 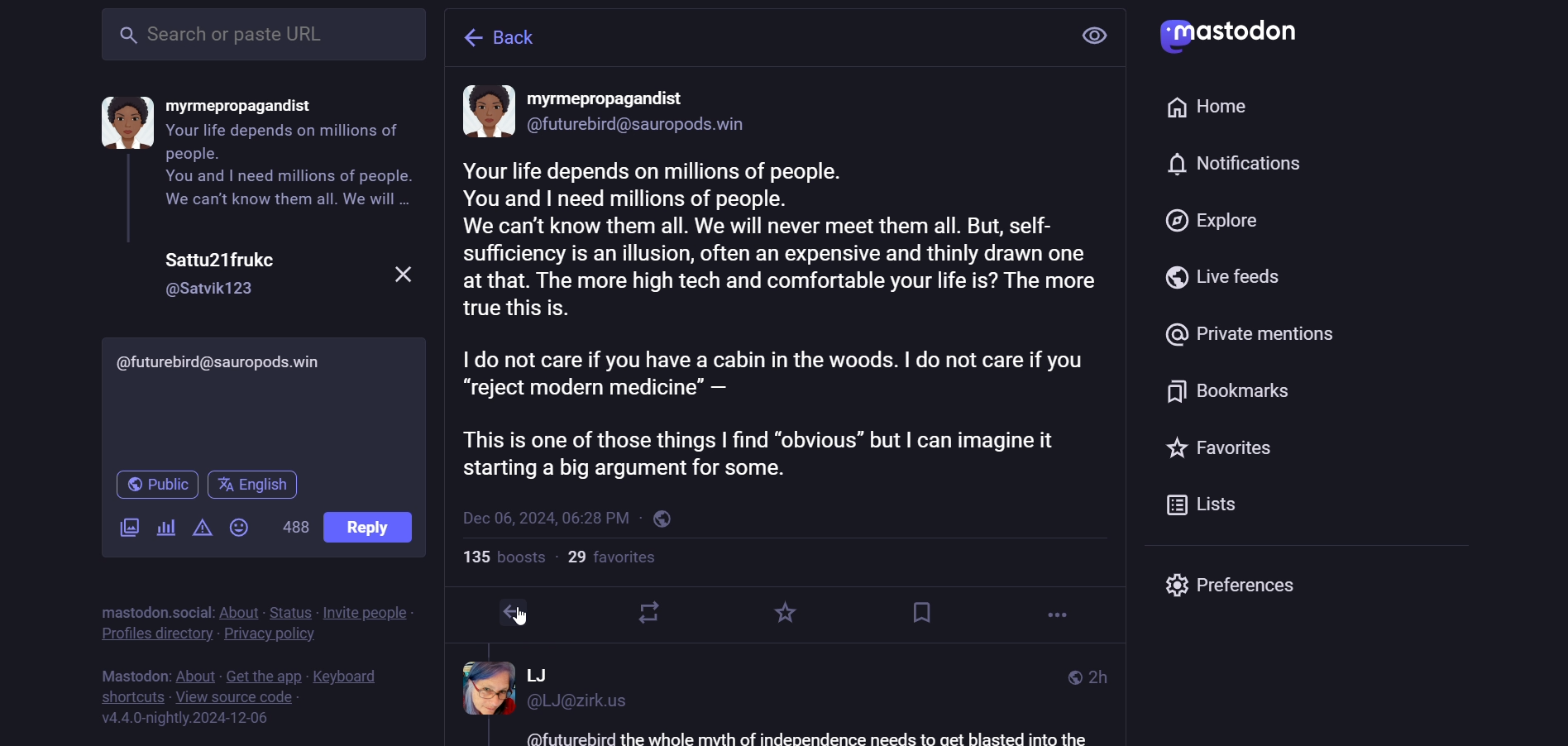 I want to click on version, so click(x=190, y=719).